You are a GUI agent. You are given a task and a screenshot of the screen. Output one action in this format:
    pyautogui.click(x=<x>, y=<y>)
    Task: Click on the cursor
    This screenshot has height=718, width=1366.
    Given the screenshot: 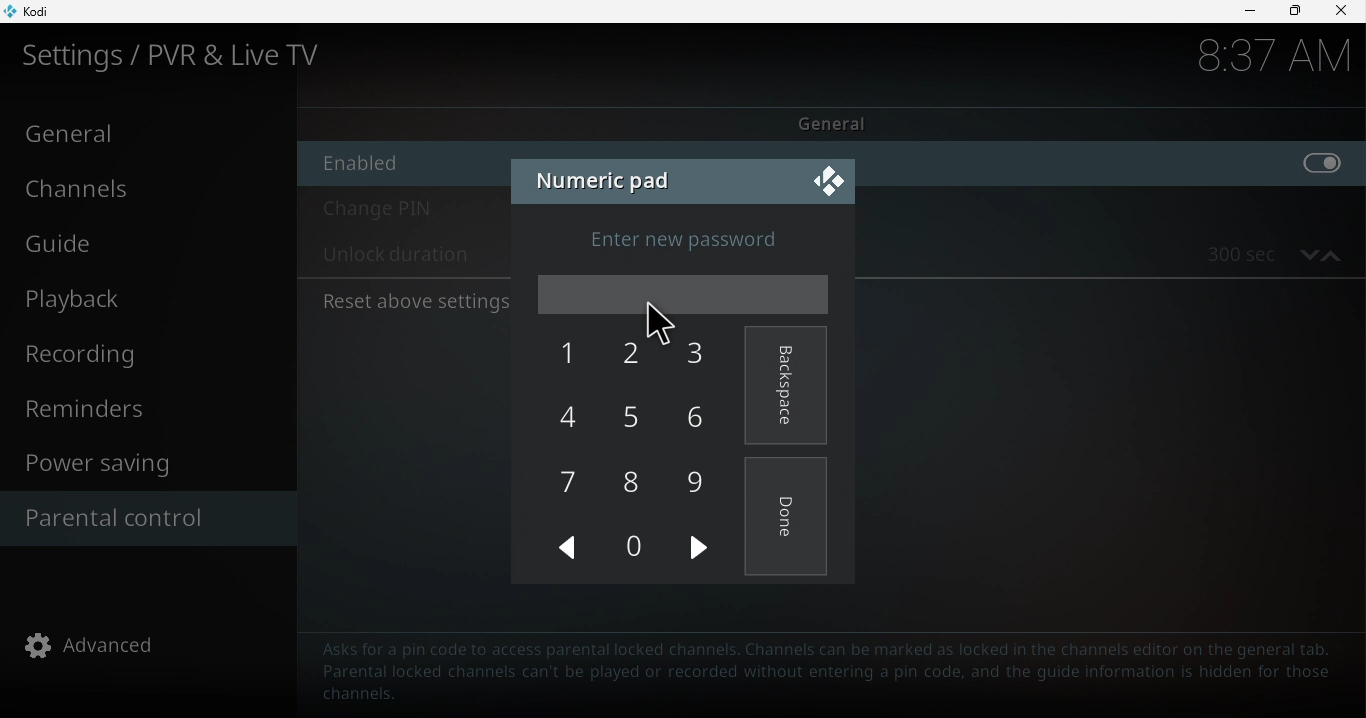 What is the action you would take?
    pyautogui.click(x=653, y=328)
    